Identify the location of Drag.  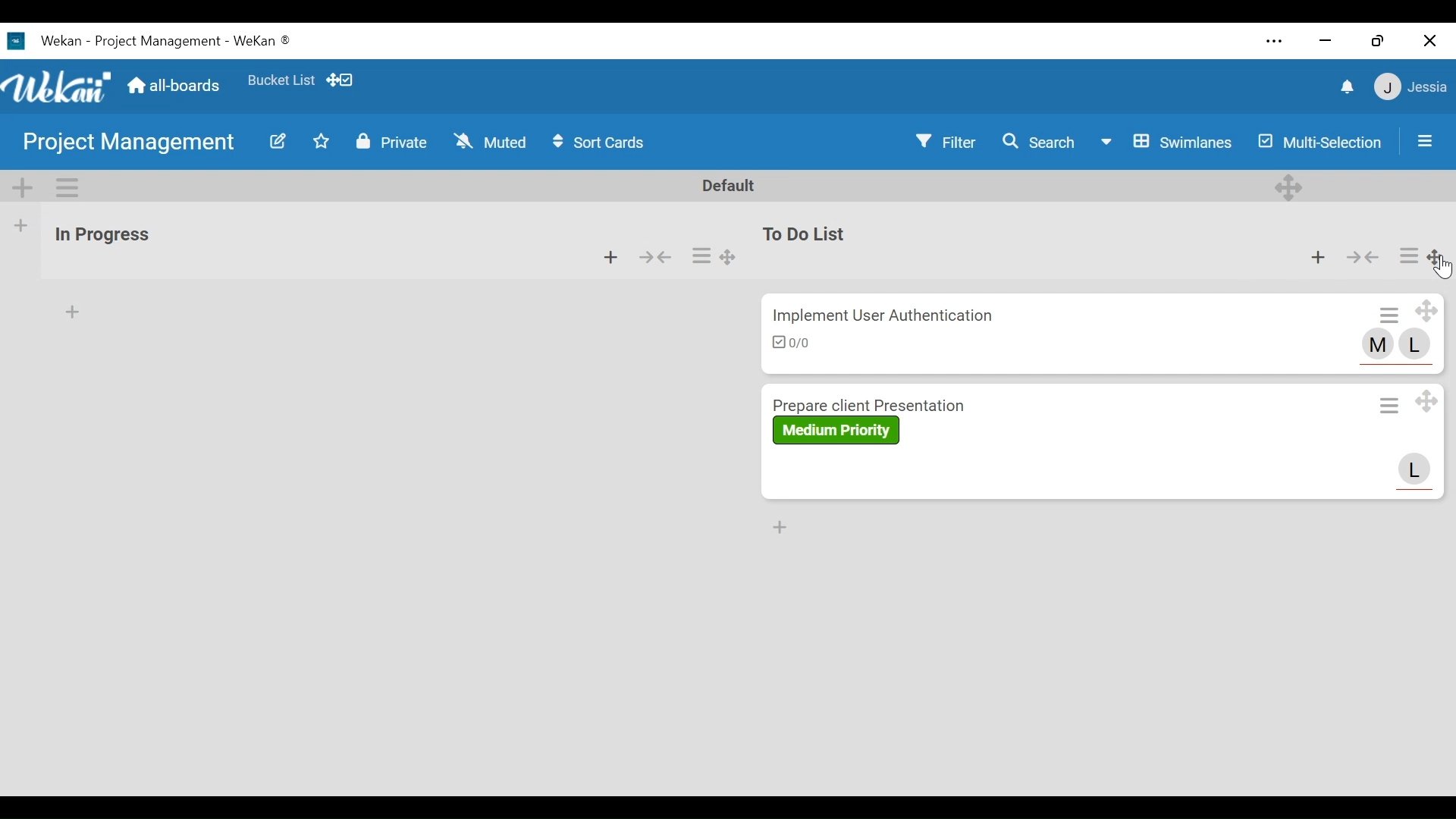
(730, 254).